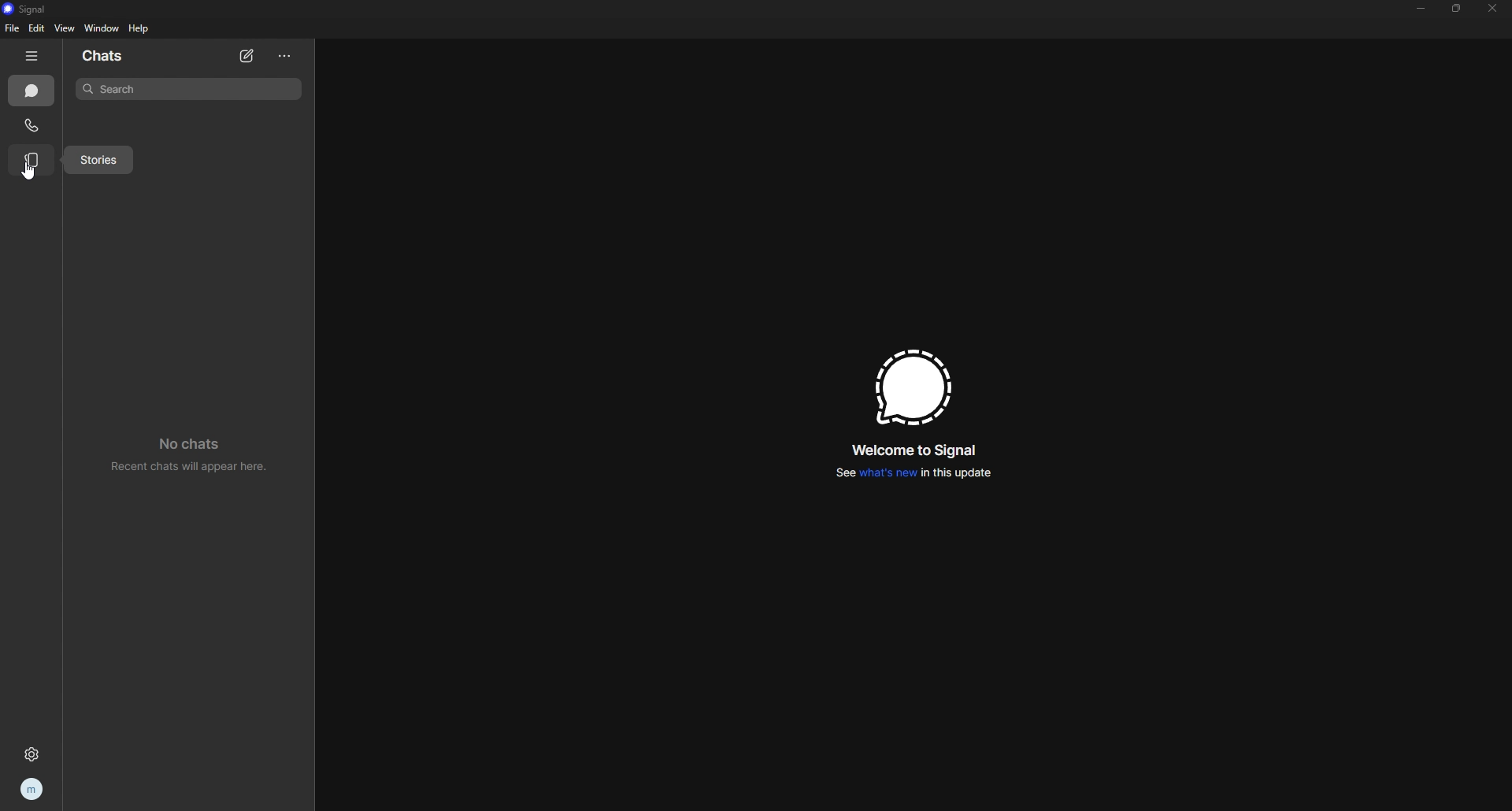 The width and height of the screenshot is (1512, 811). I want to click on edit, so click(37, 28).